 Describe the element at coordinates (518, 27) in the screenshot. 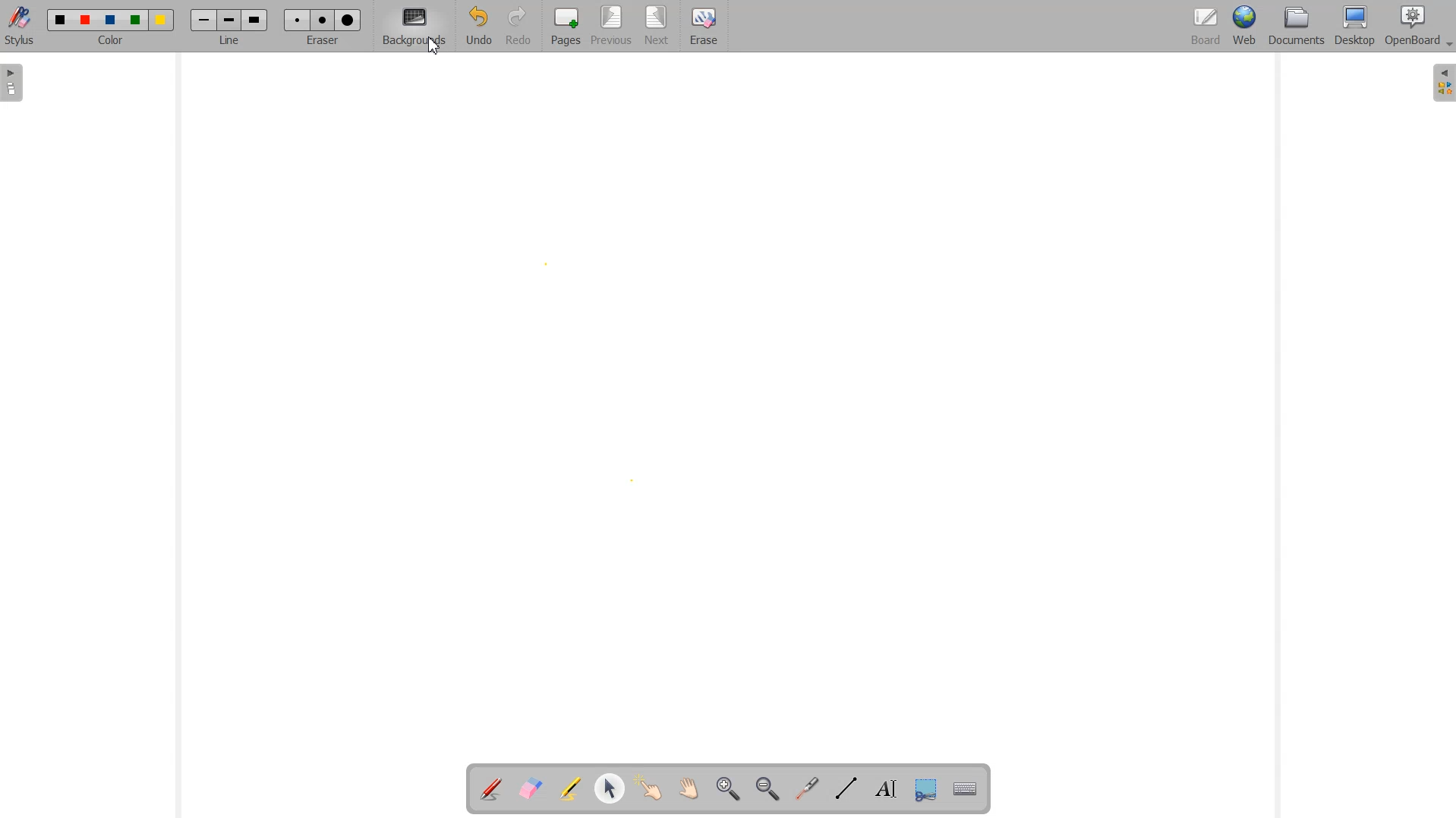

I see `Redo` at that location.